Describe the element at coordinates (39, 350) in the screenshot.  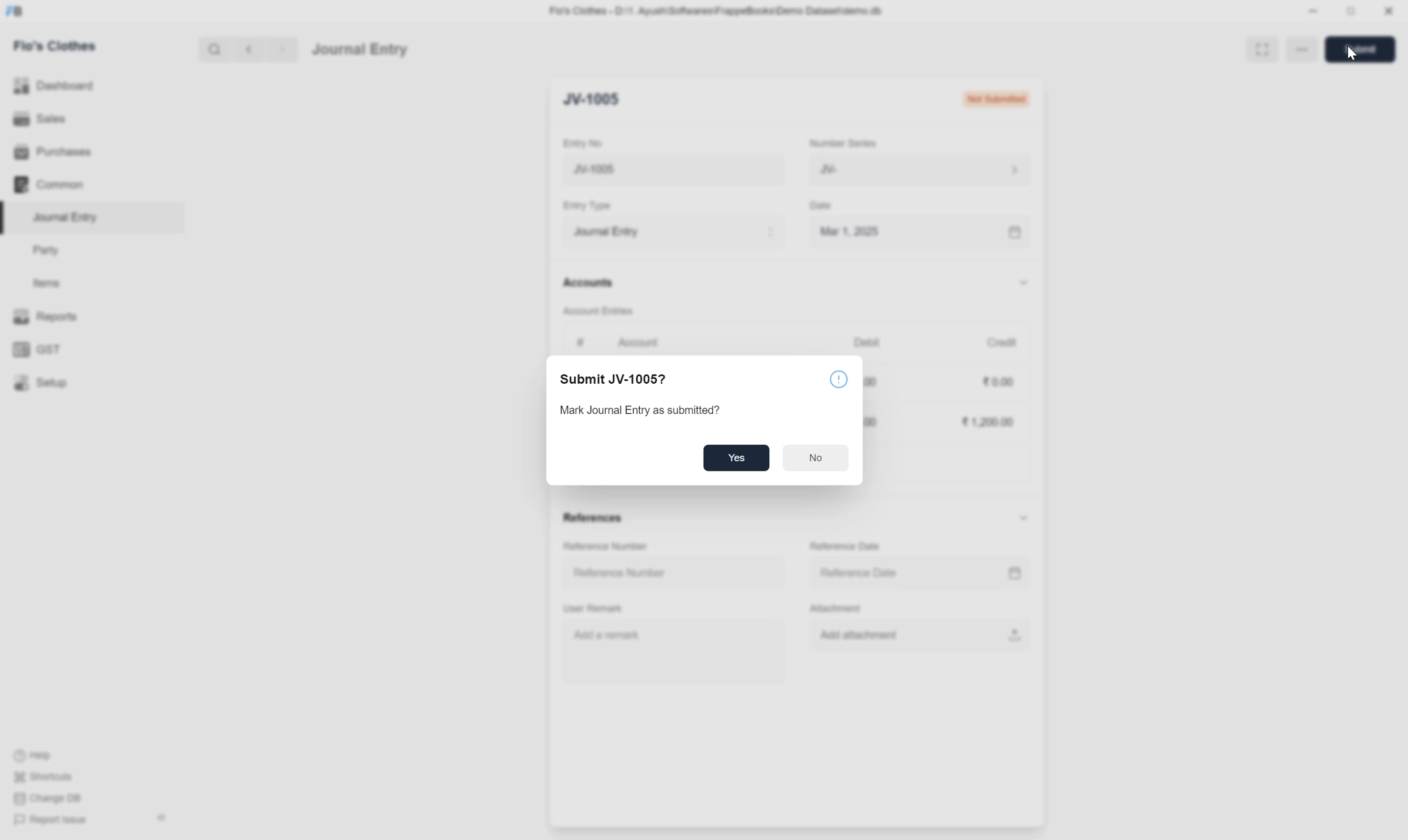
I see `GST` at that location.